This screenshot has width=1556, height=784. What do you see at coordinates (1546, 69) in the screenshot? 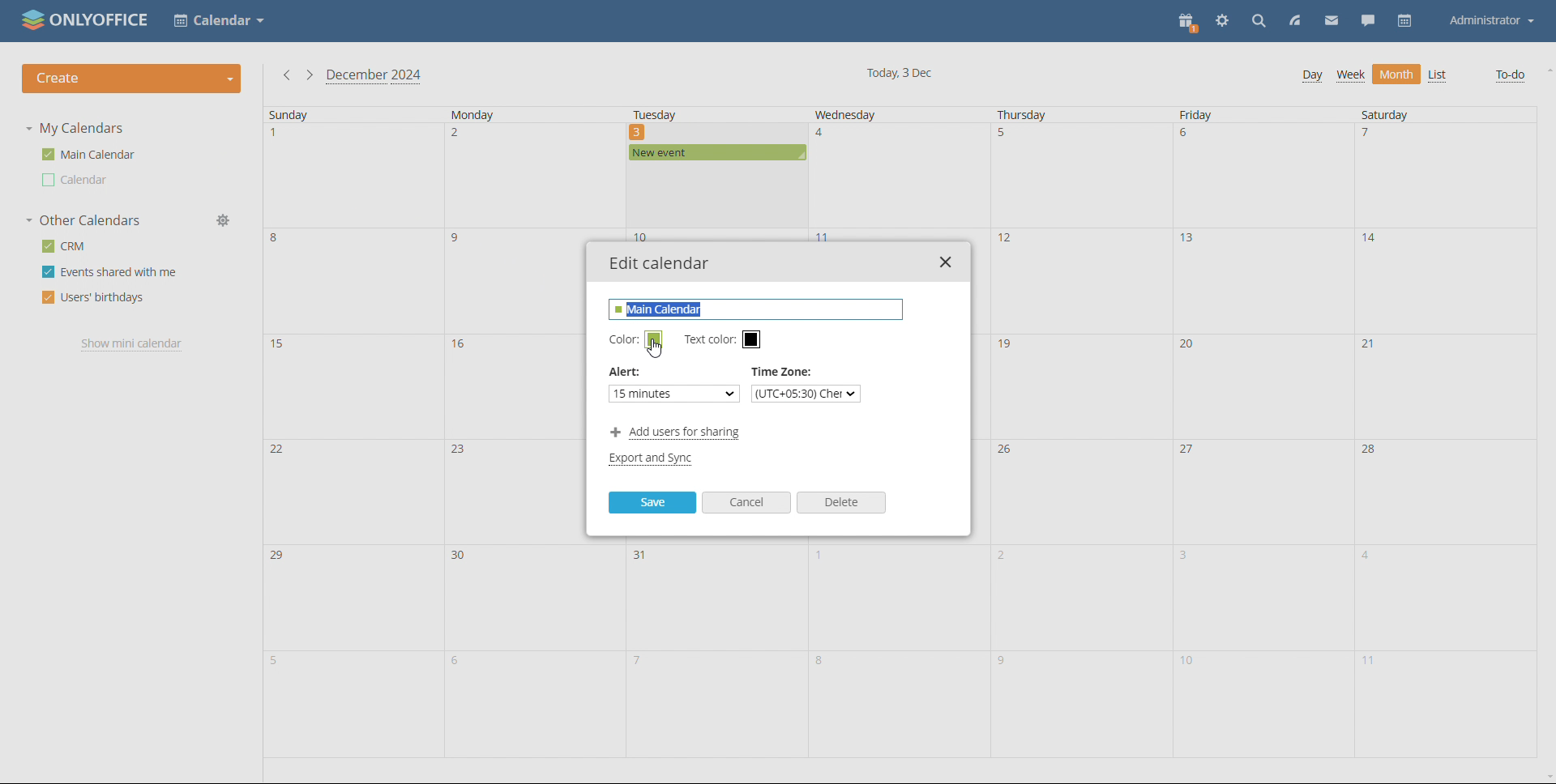
I see `scroll up` at bounding box center [1546, 69].